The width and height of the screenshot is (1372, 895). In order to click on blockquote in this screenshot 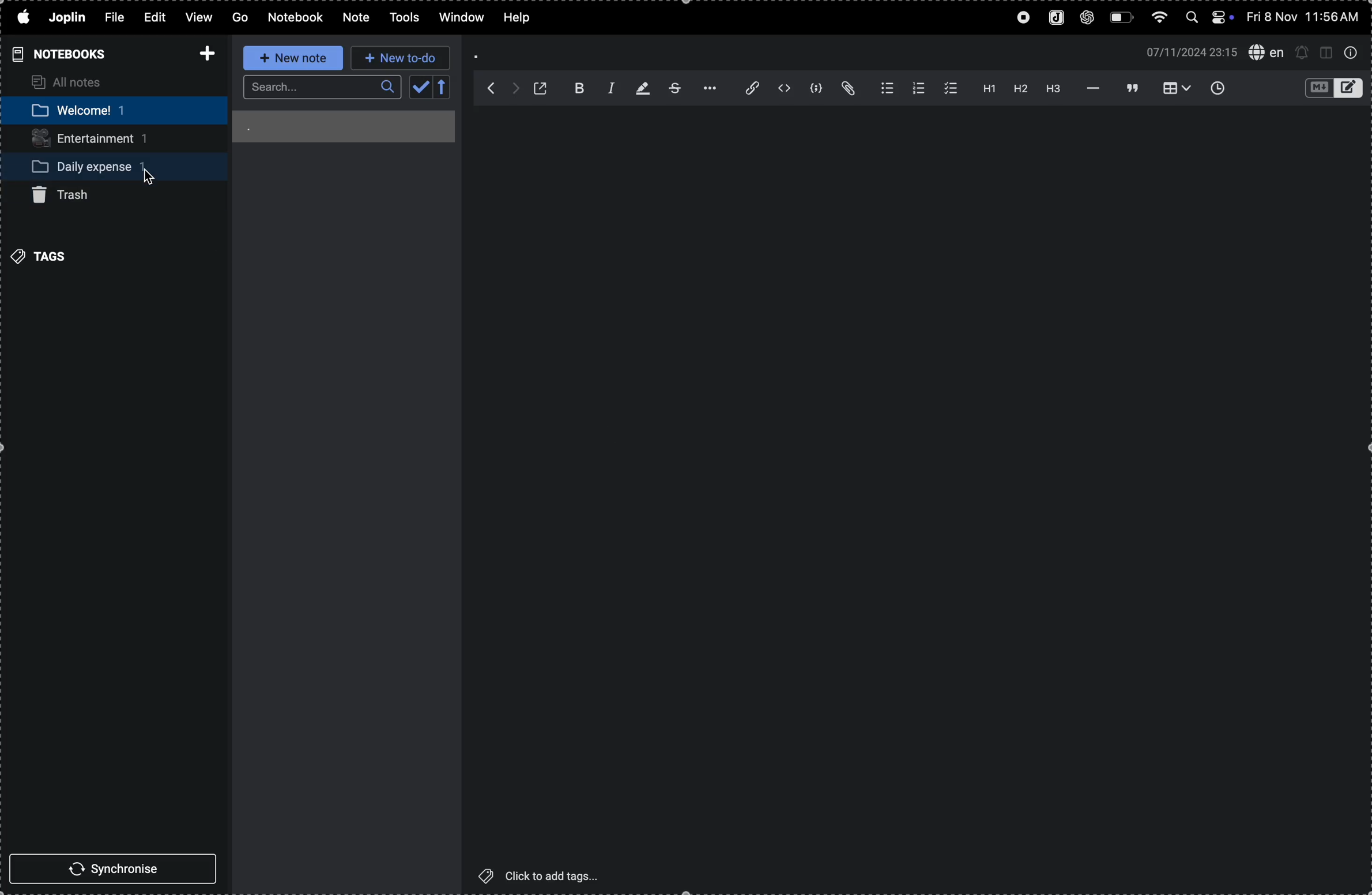, I will do `click(1129, 88)`.